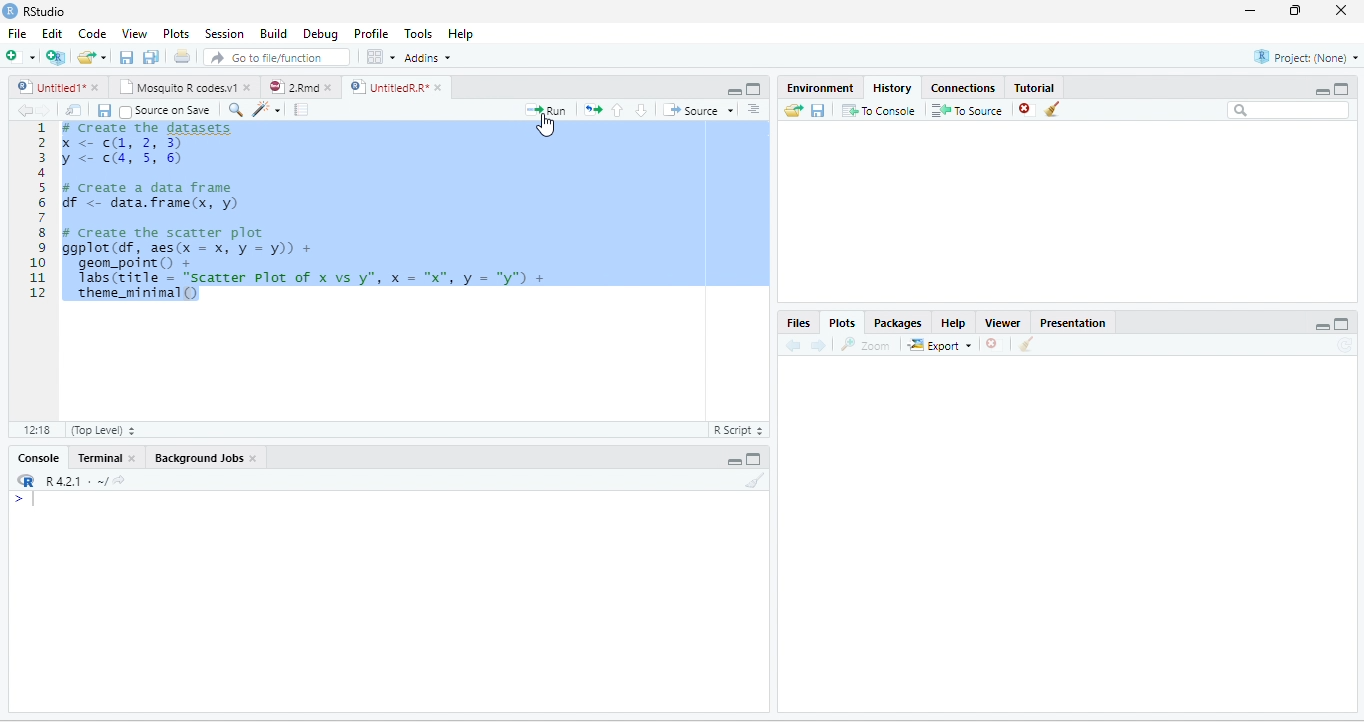 The width and height of the screenshot is (1364, 722). What do you see at coordinates (1053, 109) in the screenshot?
I see `Clear all history entries` at bounding box center [1053, 109].